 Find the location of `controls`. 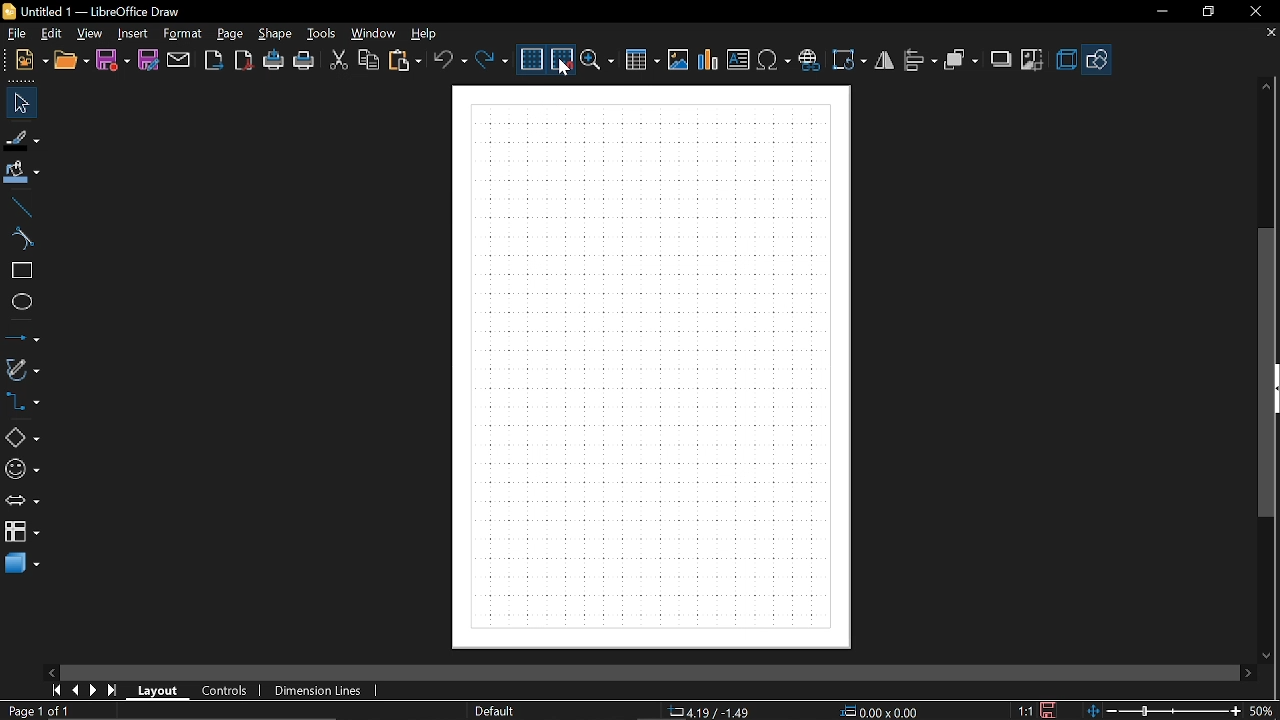

controls is located at coordinates (226, 691).